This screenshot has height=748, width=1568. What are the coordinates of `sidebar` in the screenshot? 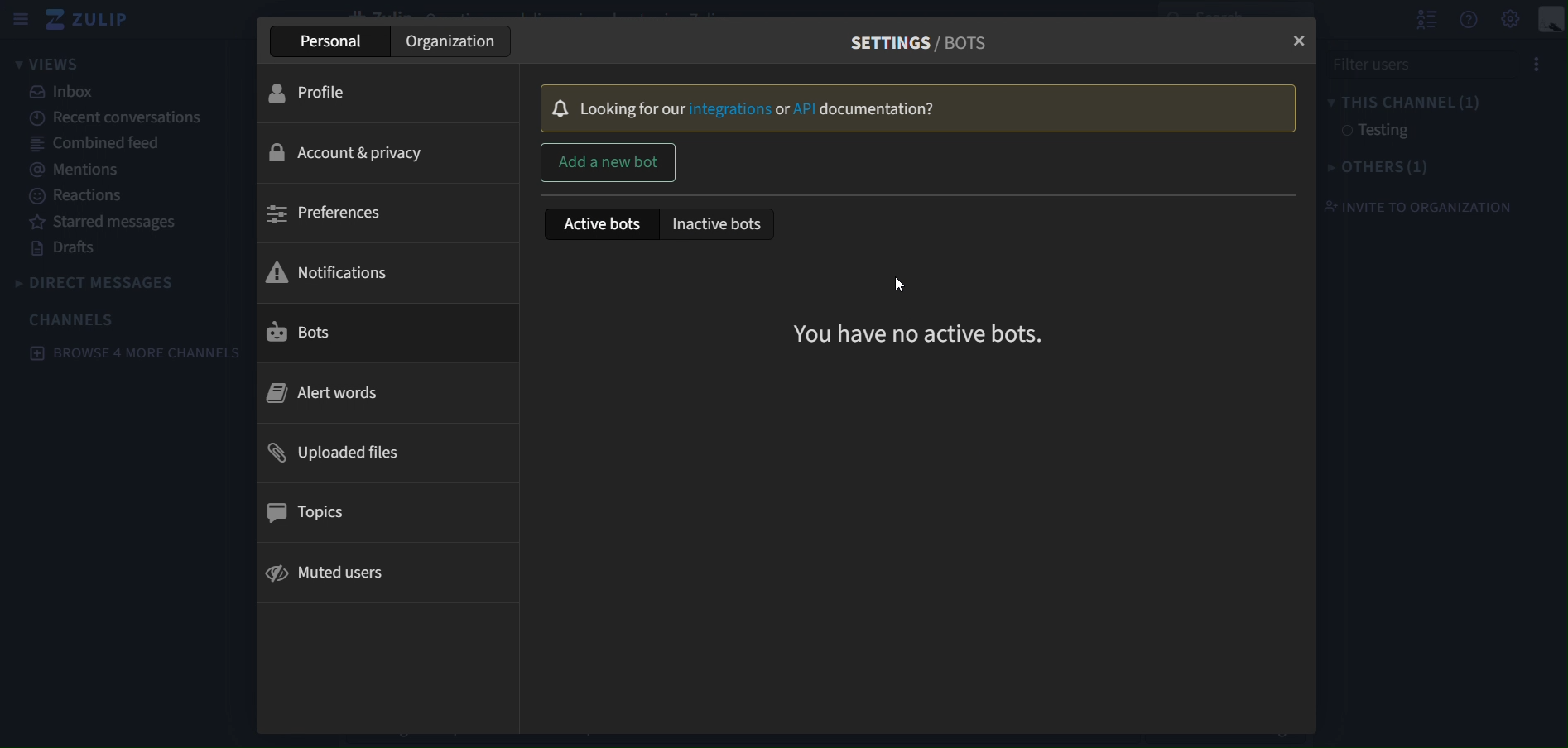 It's located at (20, 19).